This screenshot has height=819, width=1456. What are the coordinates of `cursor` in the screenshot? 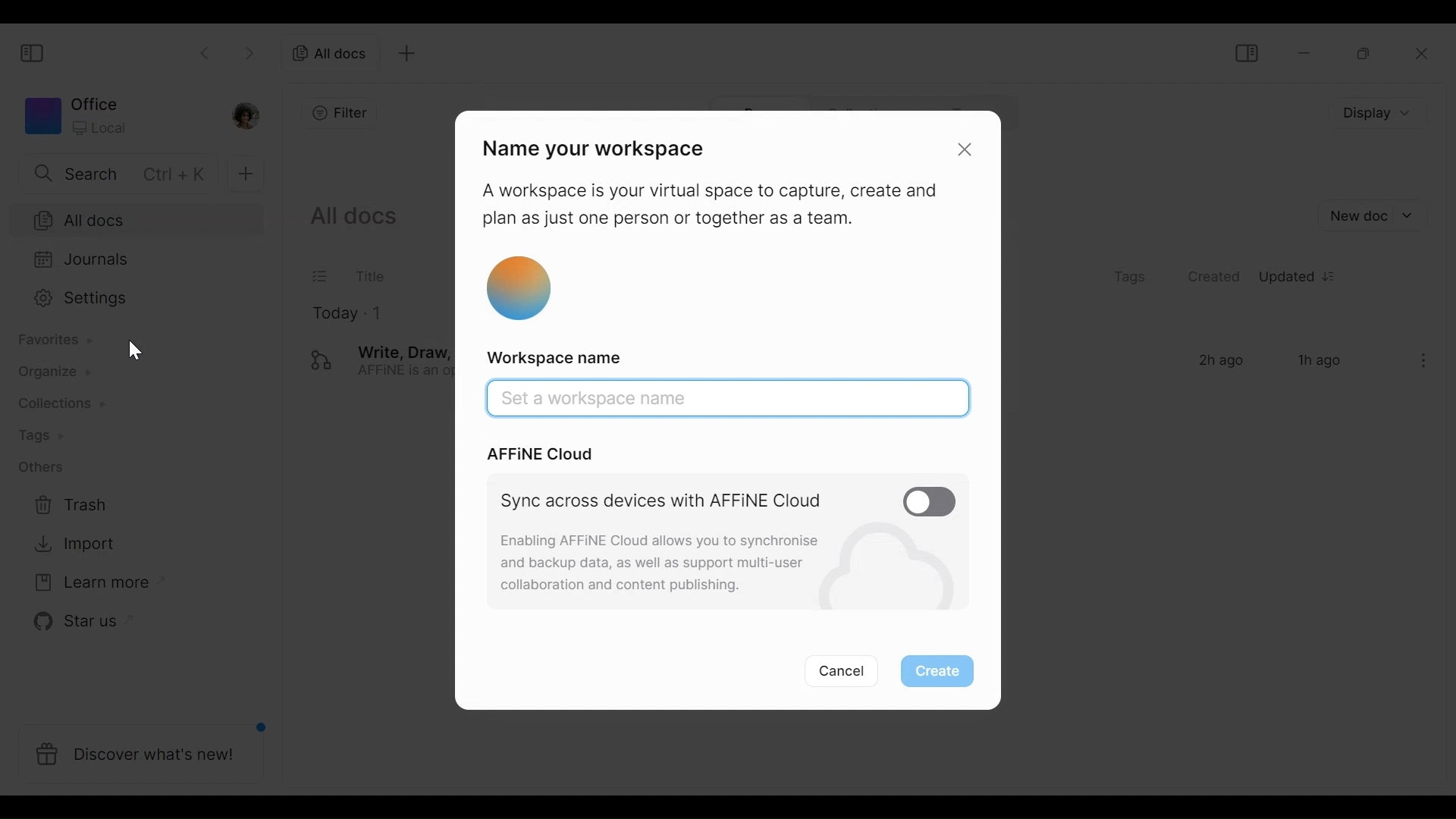 It's located at (136, 352).